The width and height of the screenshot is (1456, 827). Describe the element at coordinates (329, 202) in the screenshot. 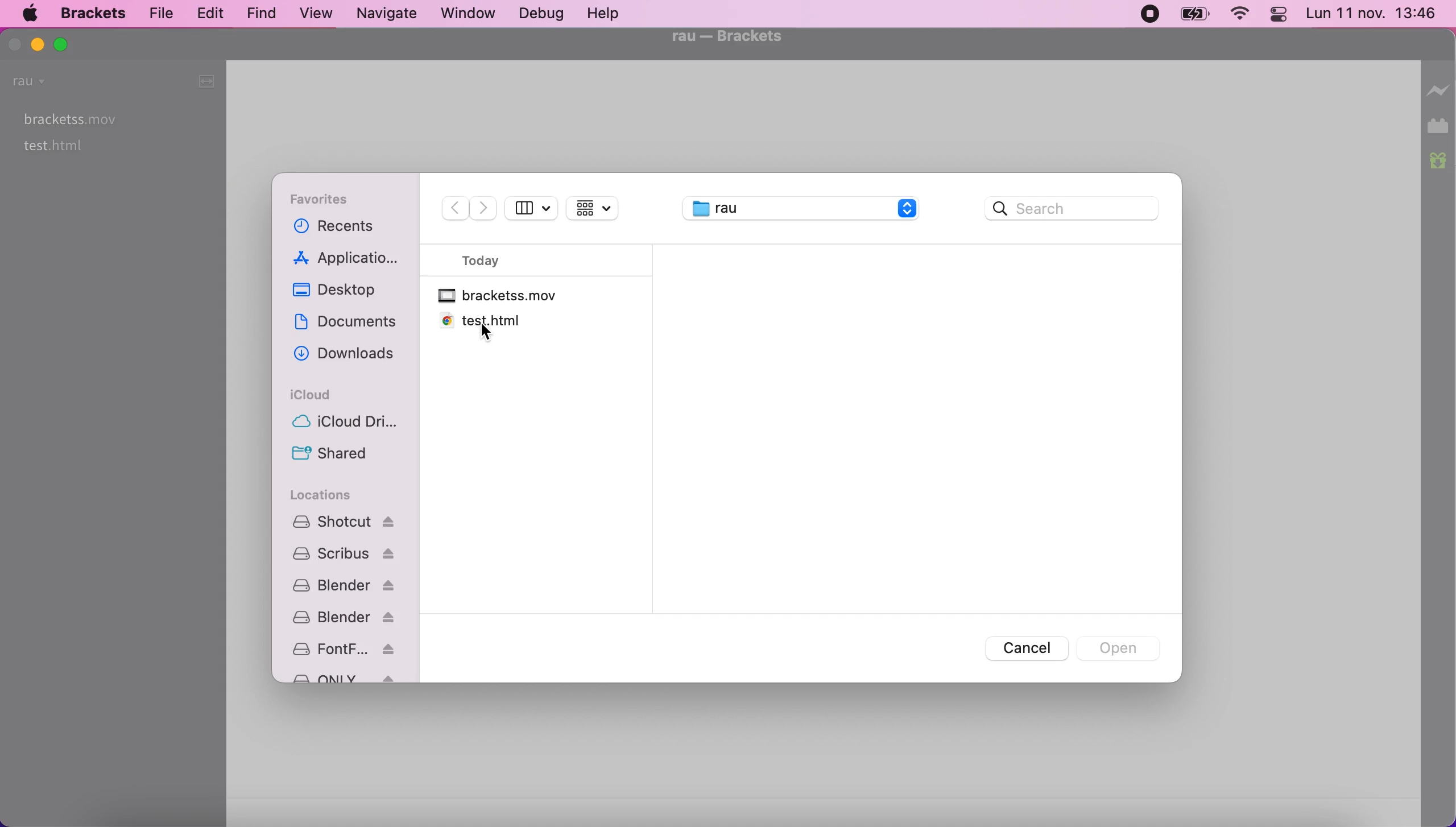

I see `favorites` at that location.